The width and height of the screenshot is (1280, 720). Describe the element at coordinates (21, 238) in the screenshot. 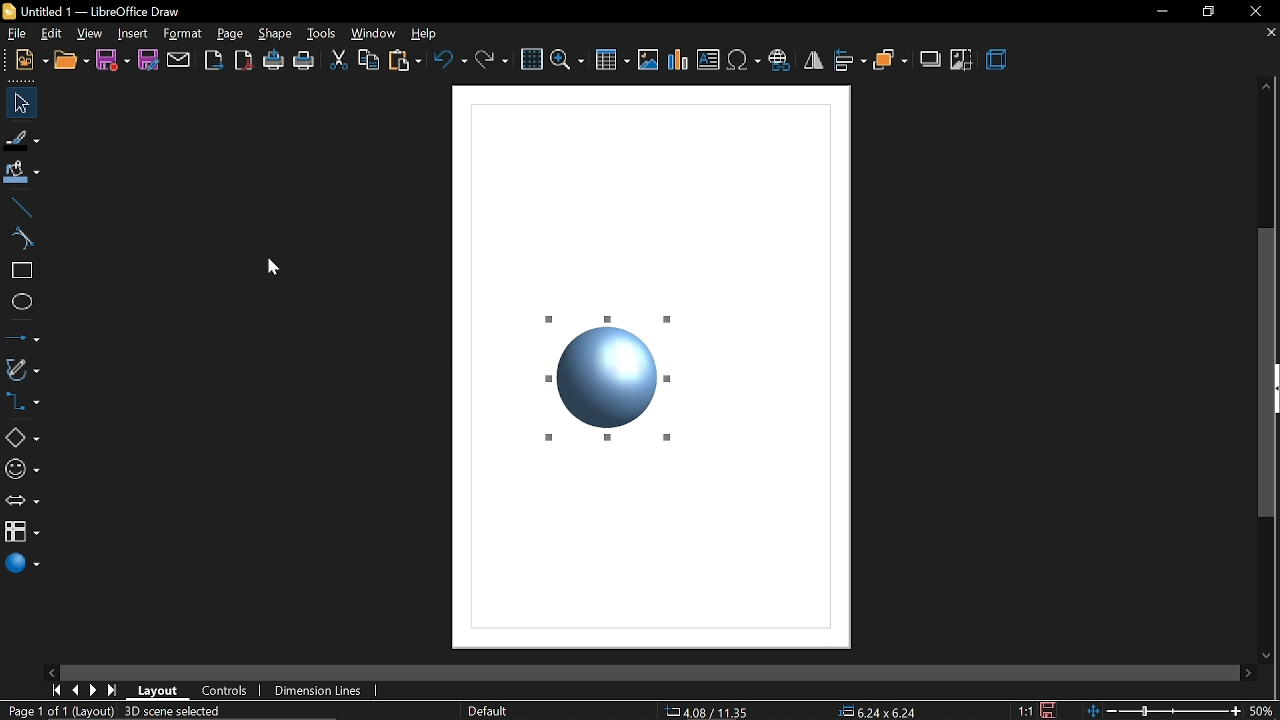

I see `curve` at that location.